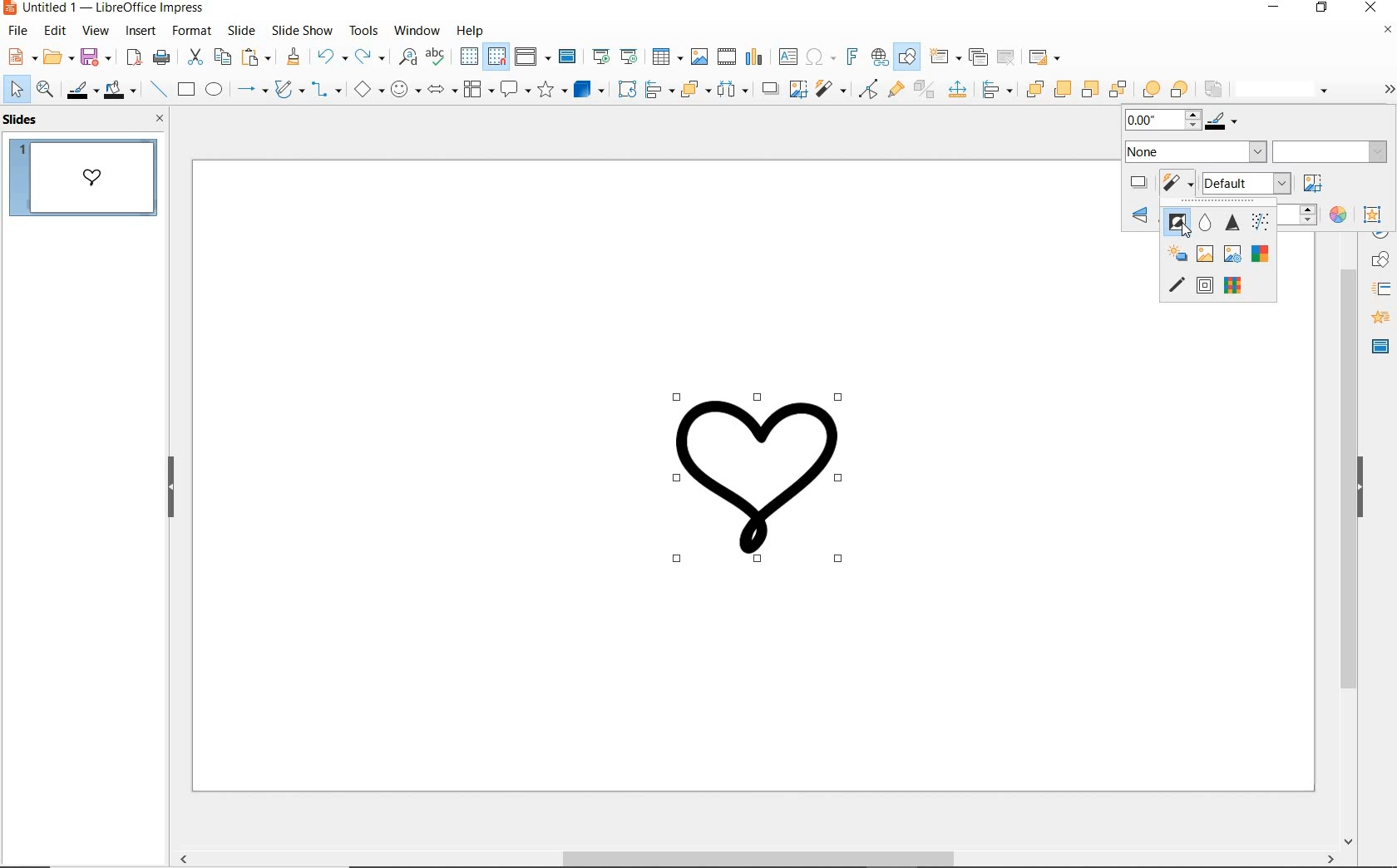  I want to click on insert, so click(141, 33).